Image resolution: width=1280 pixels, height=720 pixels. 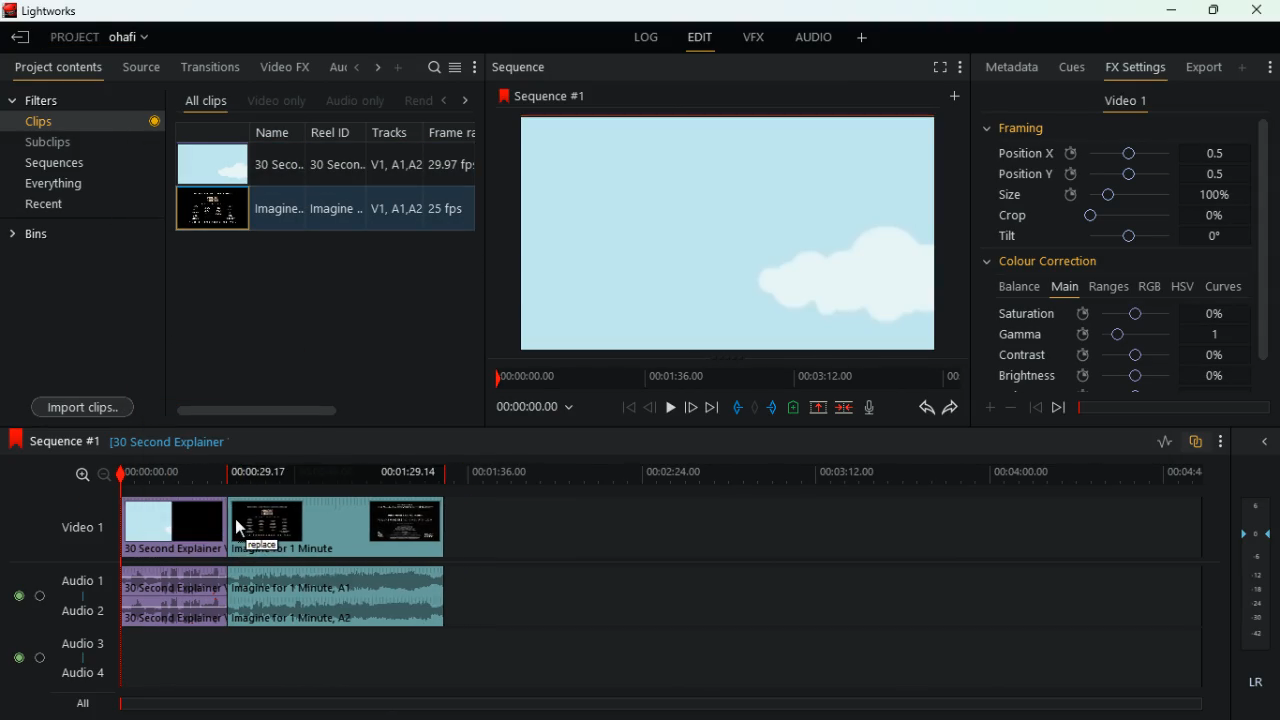 What do you see at coordinates (1226, 441) in the screenshot?
I see `more` at bounding box center [1226, 441].